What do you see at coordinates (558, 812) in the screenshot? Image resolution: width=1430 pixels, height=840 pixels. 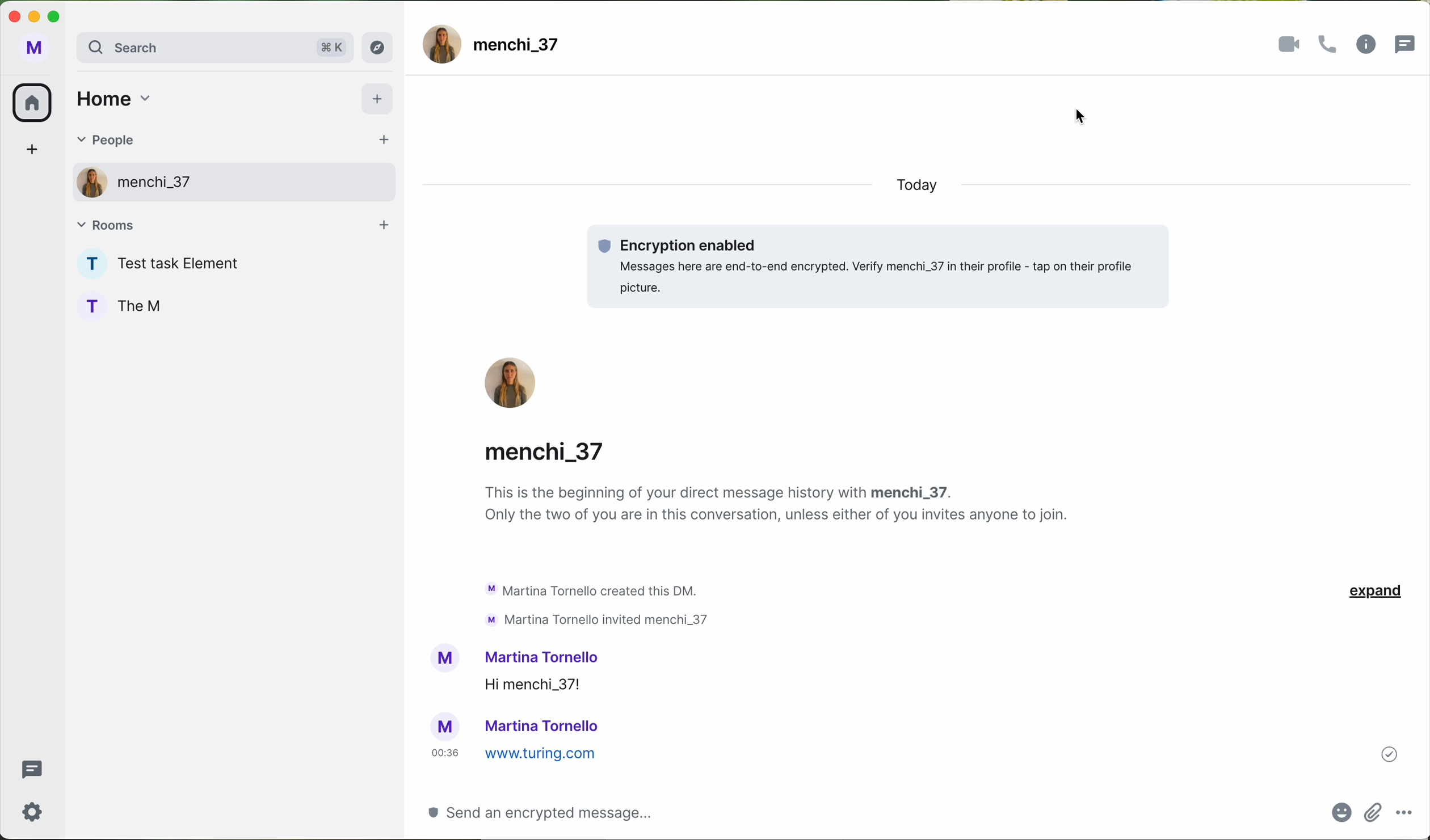 I see `send a message` at bounding box center [558, 812].